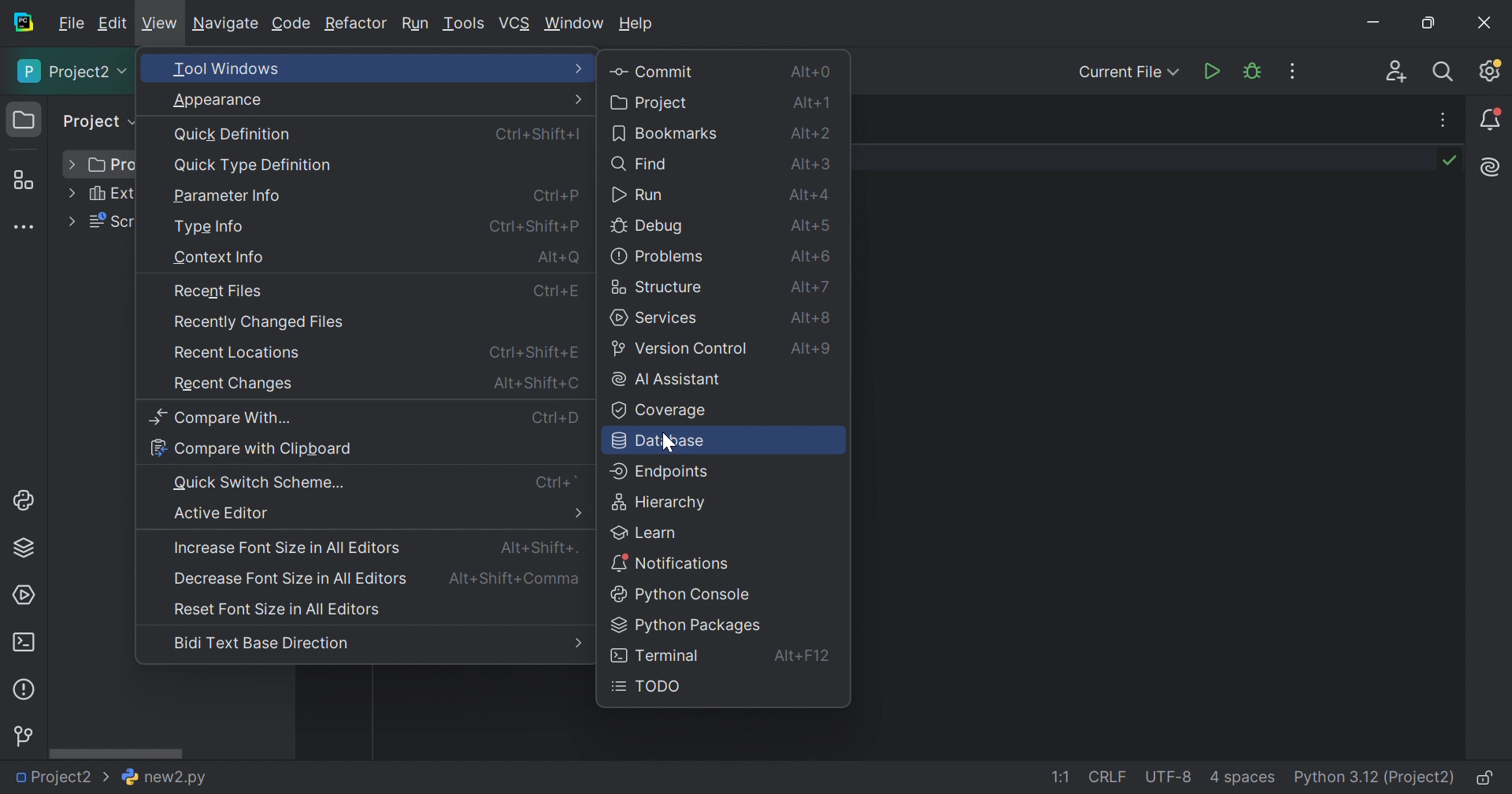 The height and width of the screenshot is (794, 1512). I want to click on TODO, so click(650, 687).